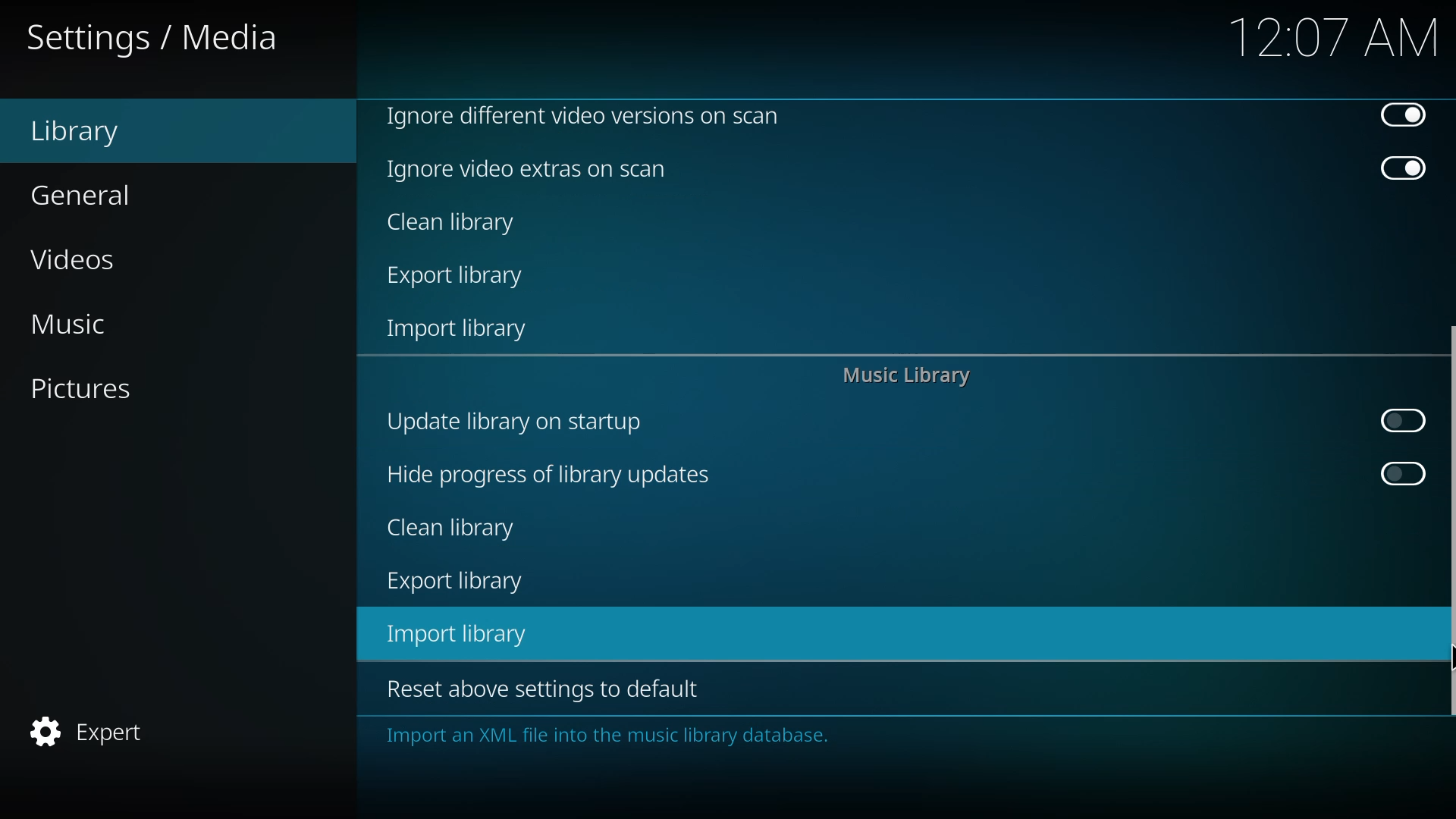 The width and height of the screenshot is (1456, 819). I want to click on ignore, so click(582, 115).